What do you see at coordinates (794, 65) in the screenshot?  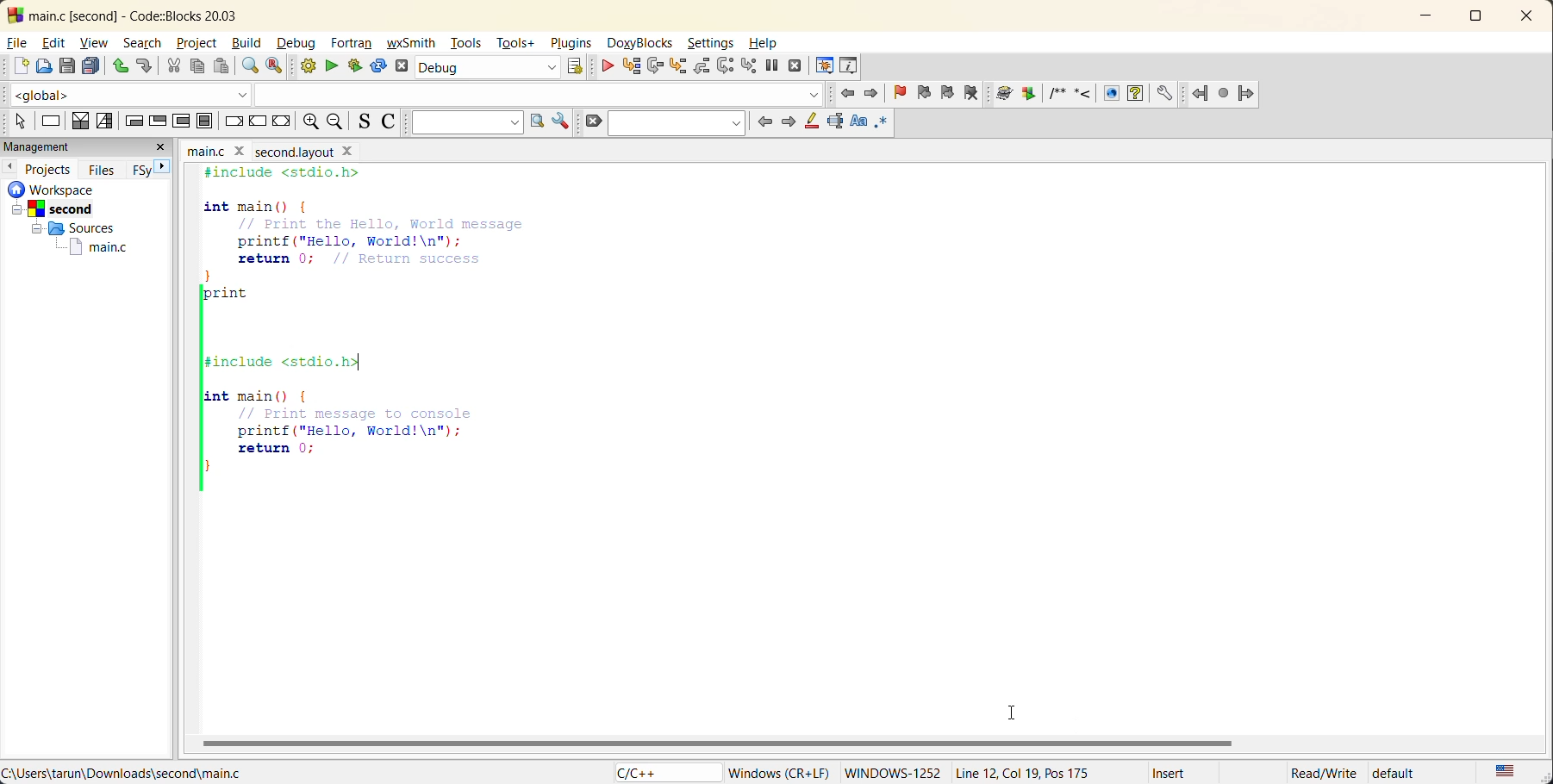 I see `stop debugger` at bounding box center [794, 65].